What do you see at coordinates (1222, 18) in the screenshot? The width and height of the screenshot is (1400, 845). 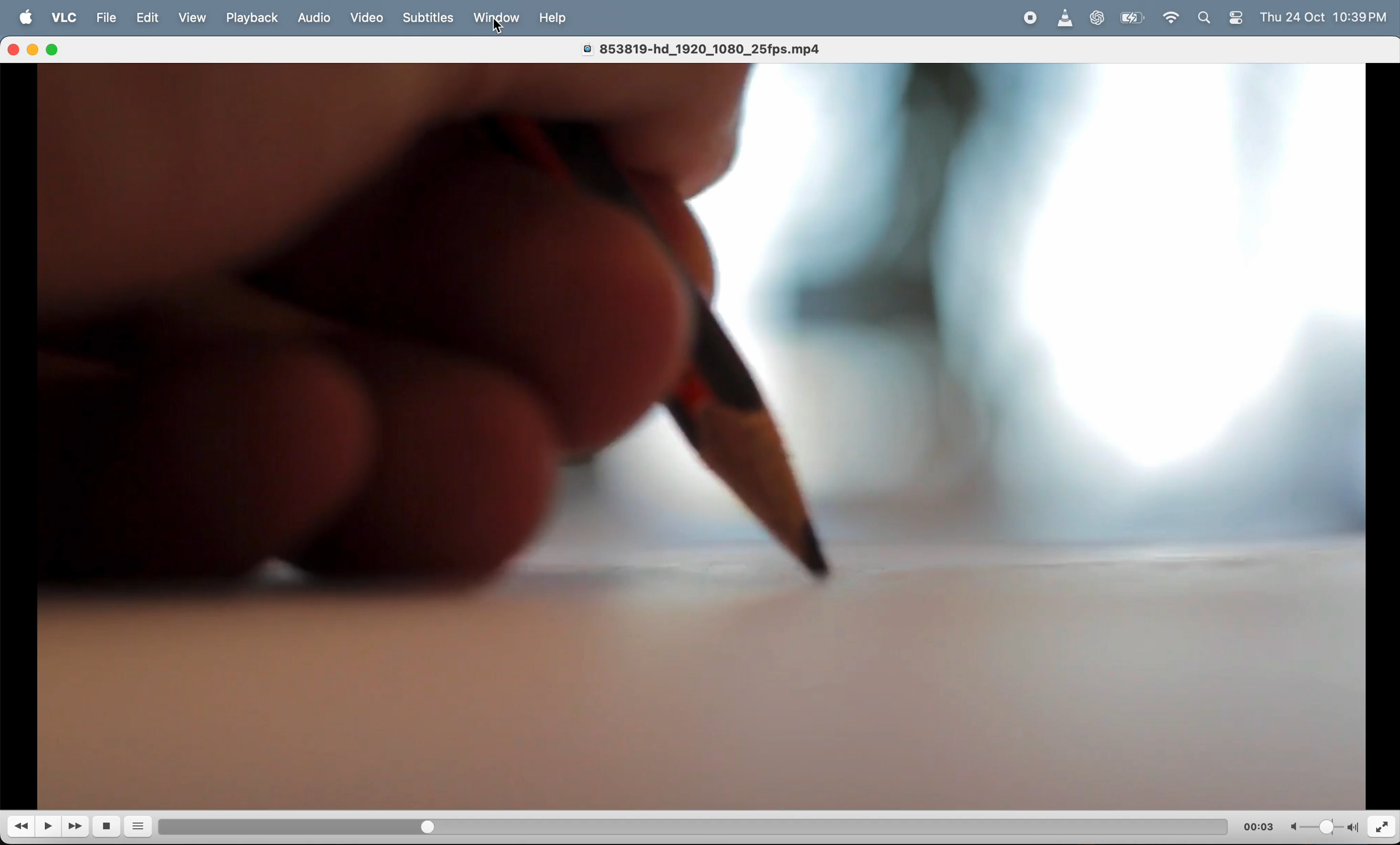 I see `apple widgets` at bounding box center [1222, 18].